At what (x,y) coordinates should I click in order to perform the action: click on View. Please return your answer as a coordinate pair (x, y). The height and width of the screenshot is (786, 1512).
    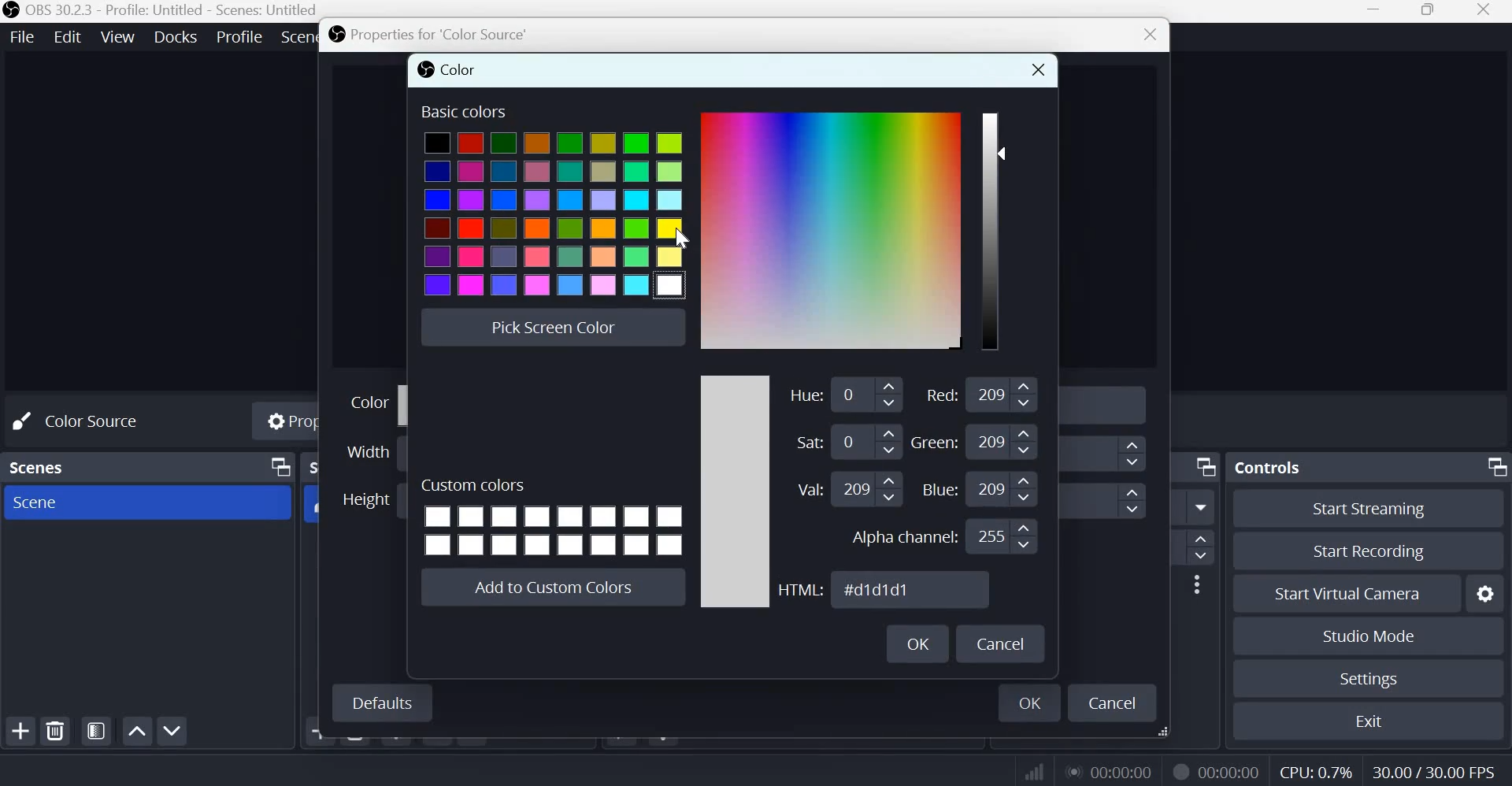
    Looking at the image, I should click on (119, 35).